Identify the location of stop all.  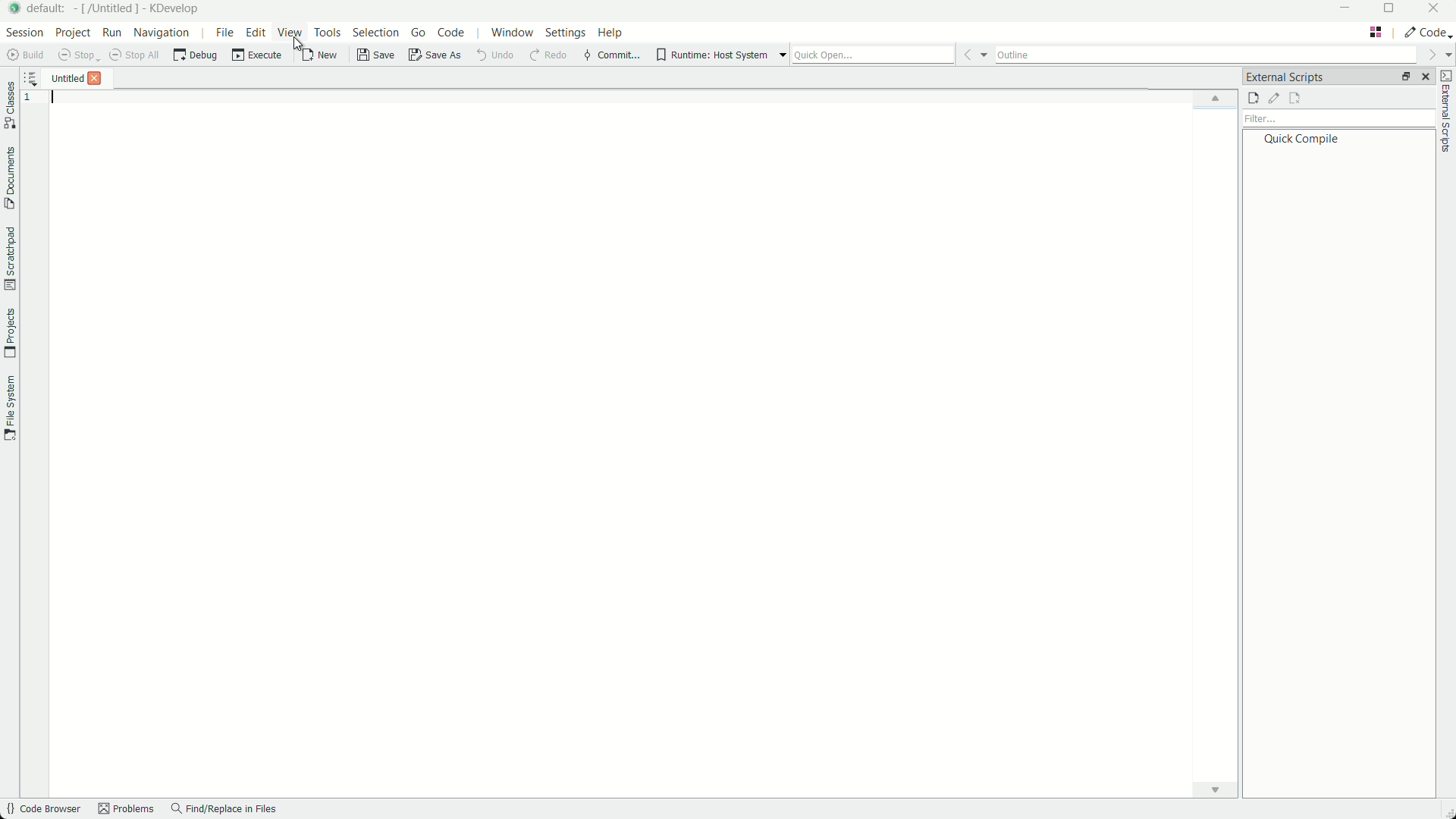
(136, 58).